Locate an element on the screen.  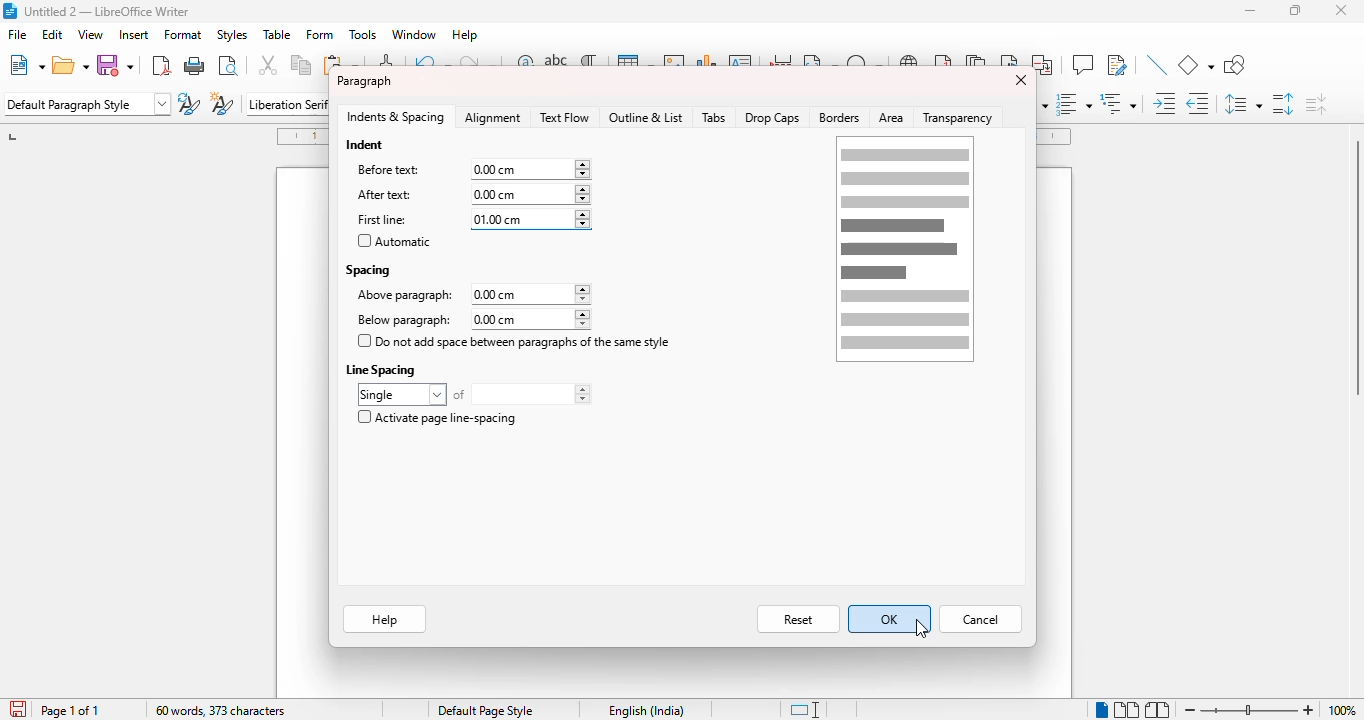
standard selection is located at coordinates (803, 710).